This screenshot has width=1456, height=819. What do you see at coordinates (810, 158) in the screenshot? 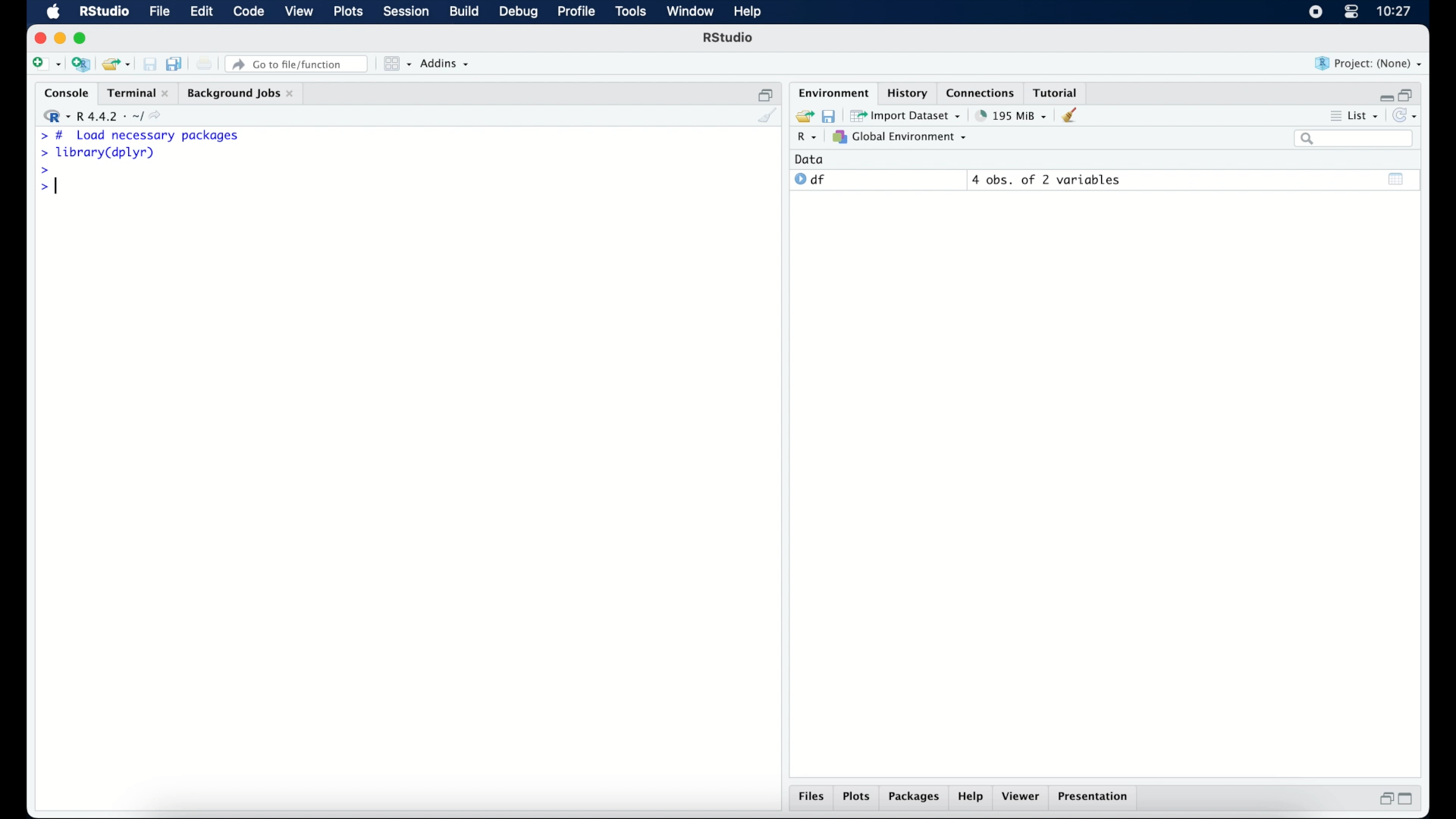
I see `date` at bounding box center [810, 158].